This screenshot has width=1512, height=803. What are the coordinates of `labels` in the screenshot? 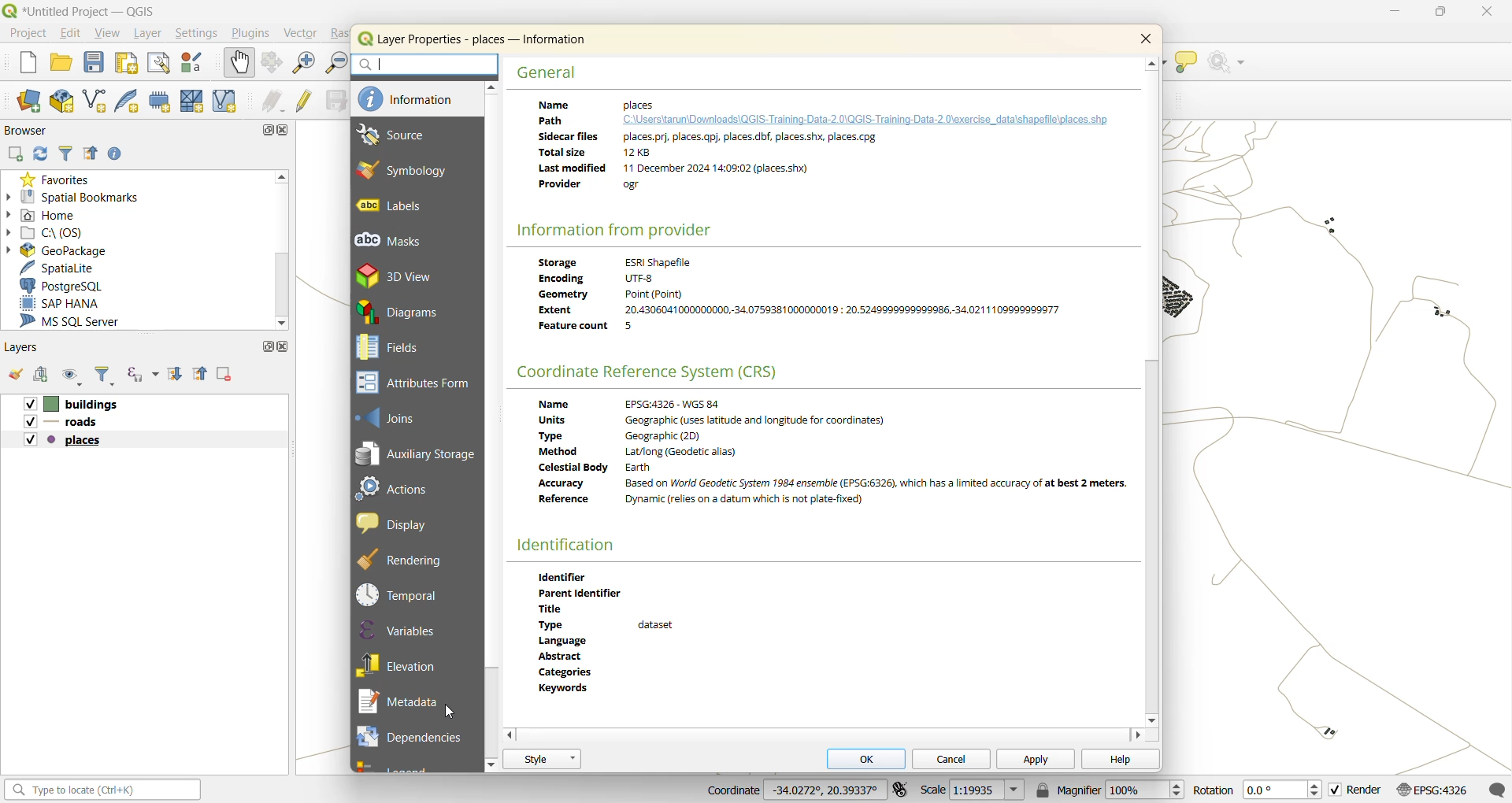 It's located at (404, 206).